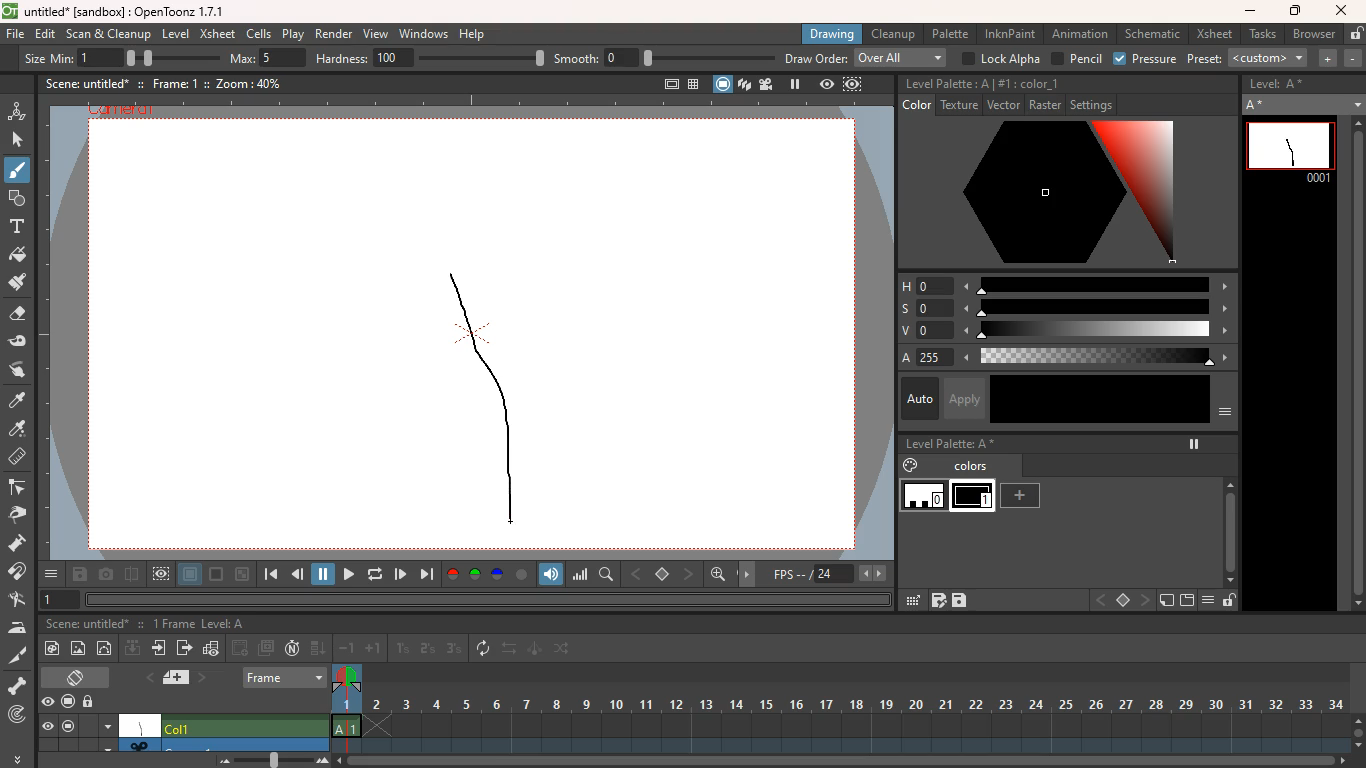 Image resolution: width=1366 pixels, height=768 pixels. Describe the element at coordinates (1095, 105) in the screenshot. I see `settings` at that location.